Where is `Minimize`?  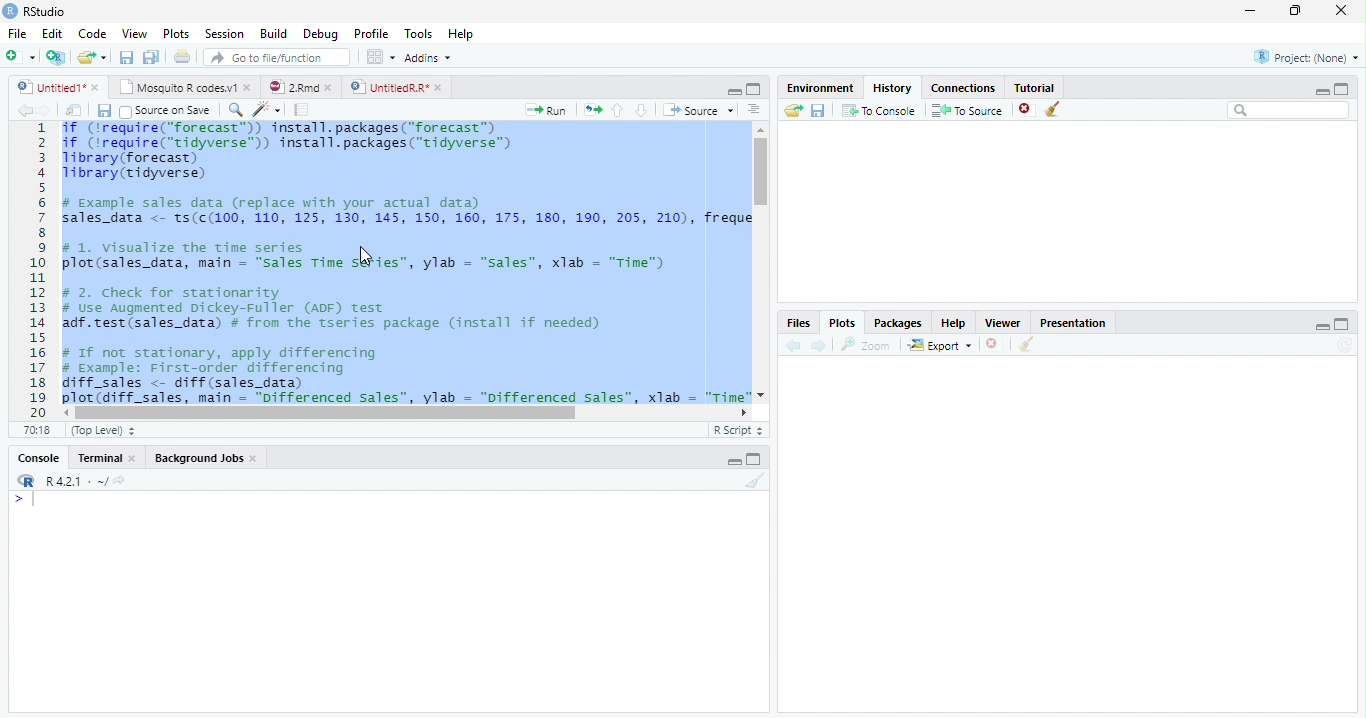
Minimize is located at coordinates (731, 460).